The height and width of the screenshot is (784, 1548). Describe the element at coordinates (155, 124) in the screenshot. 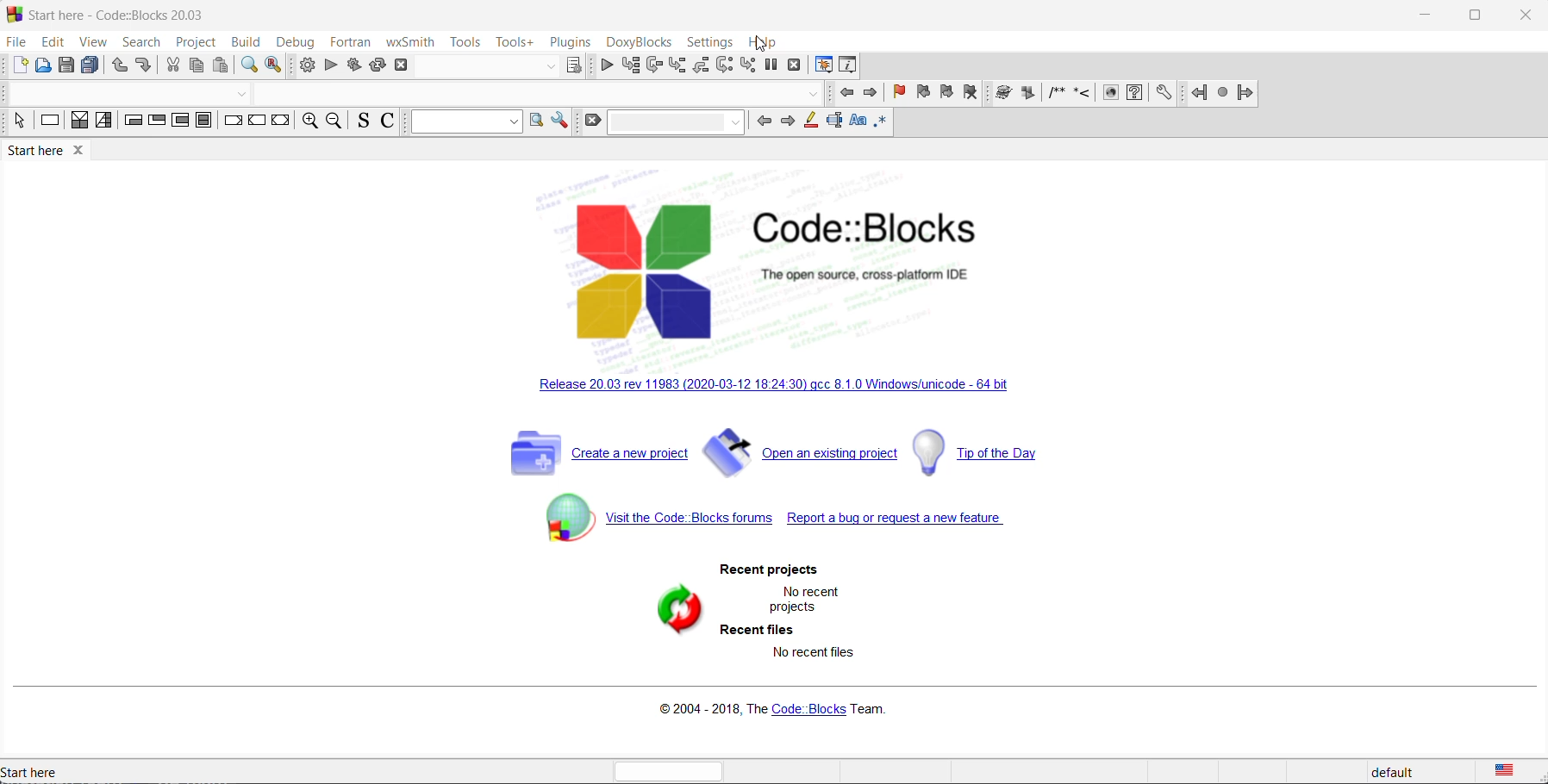

I see `exit condition loop` at that location.